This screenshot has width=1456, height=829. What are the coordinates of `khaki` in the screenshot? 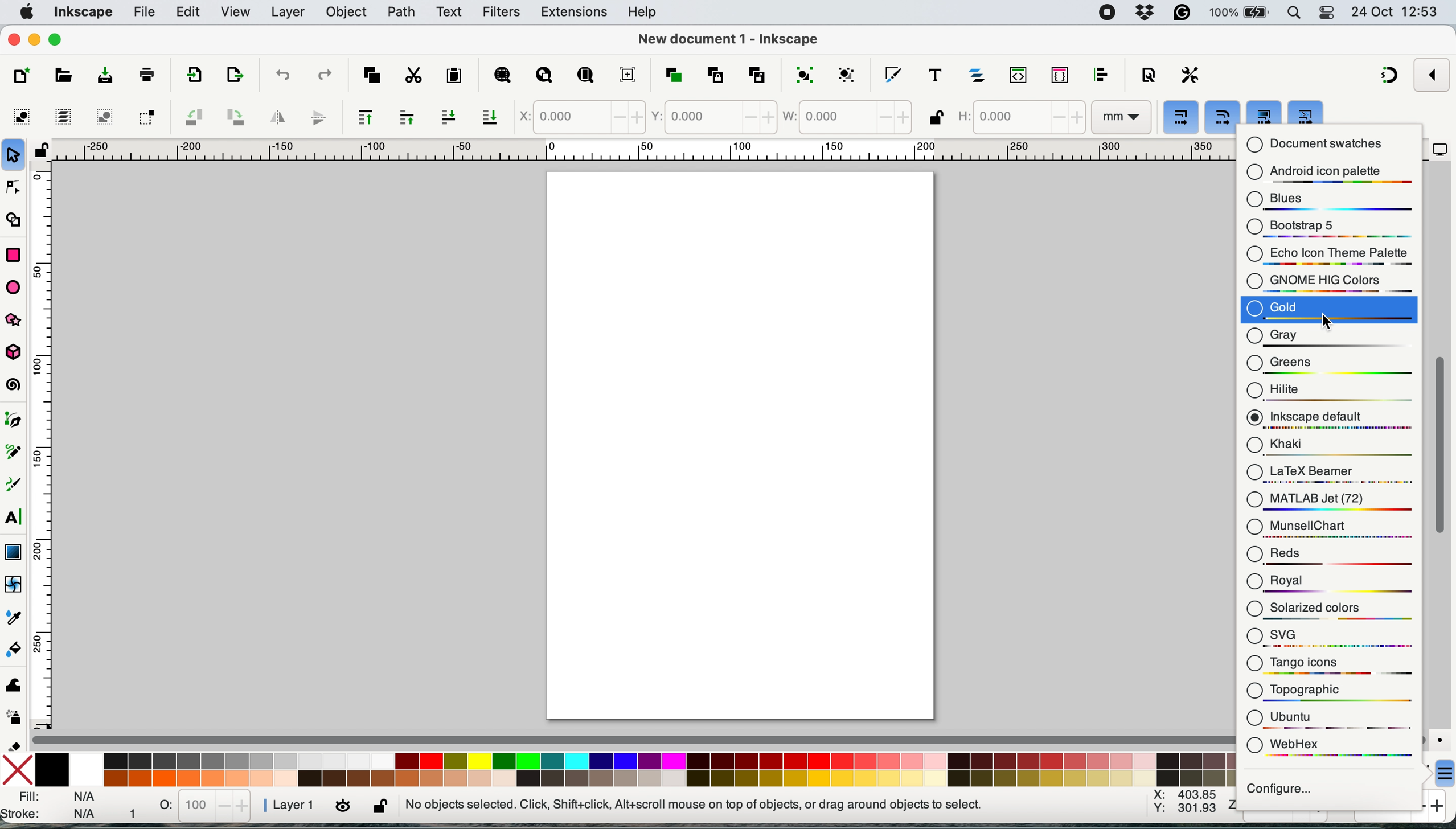 It's located at (1328, 445).